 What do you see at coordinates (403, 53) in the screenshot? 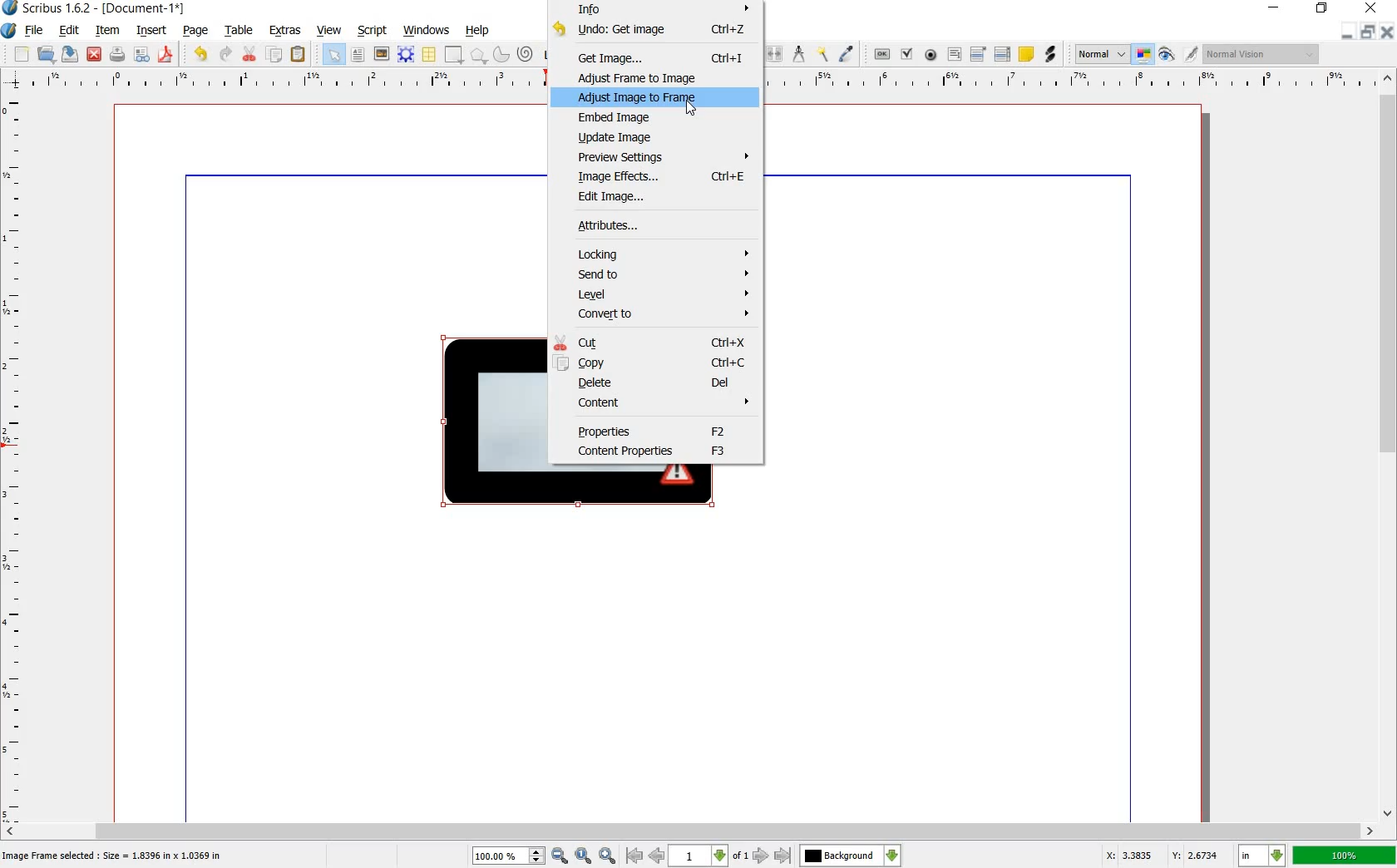
I see `render frame` at bounding box center [403, 53].